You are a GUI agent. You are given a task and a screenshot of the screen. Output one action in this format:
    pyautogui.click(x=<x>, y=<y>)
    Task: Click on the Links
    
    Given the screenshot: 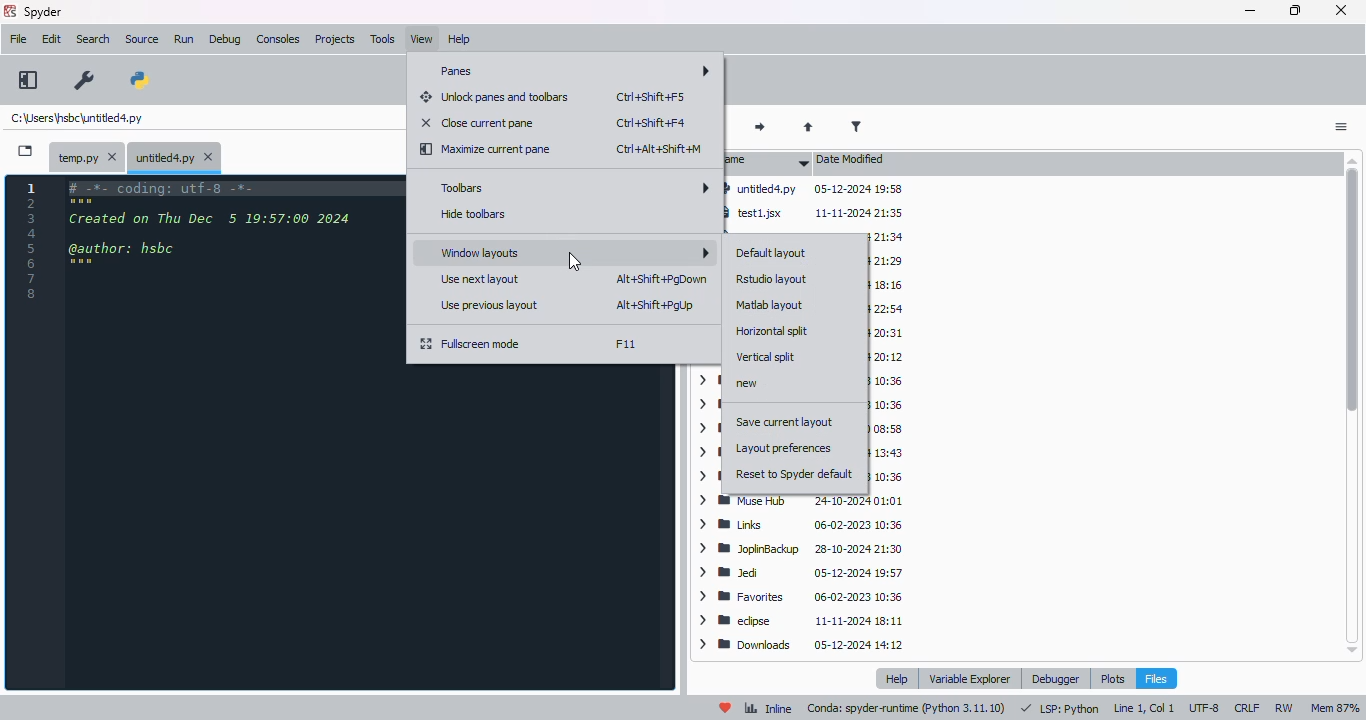 What is the action you would take?
    pyautogui.click(x=803, y=526)
    